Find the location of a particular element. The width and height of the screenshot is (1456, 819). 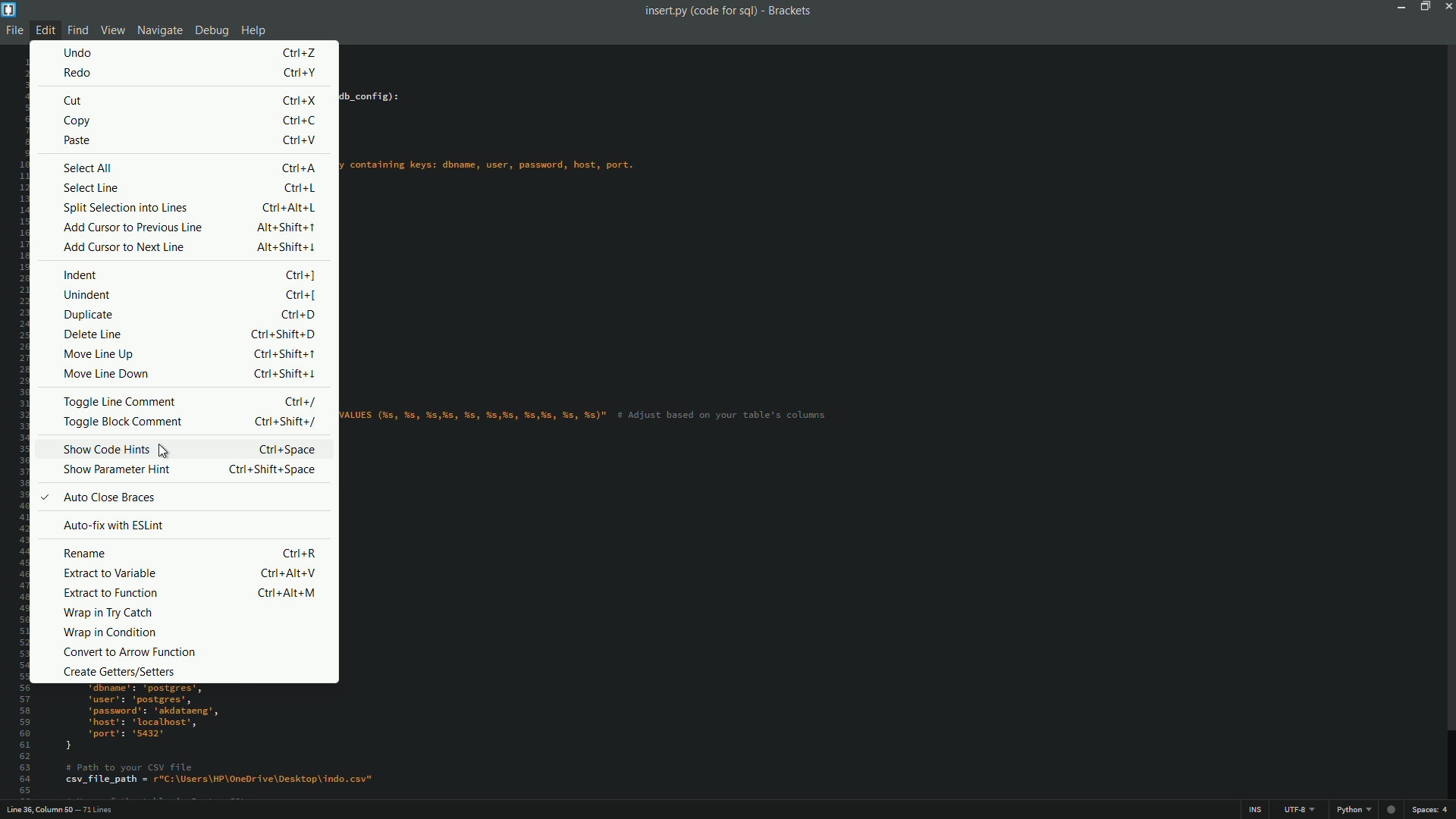

unindent is located at coordinates (87, 296).